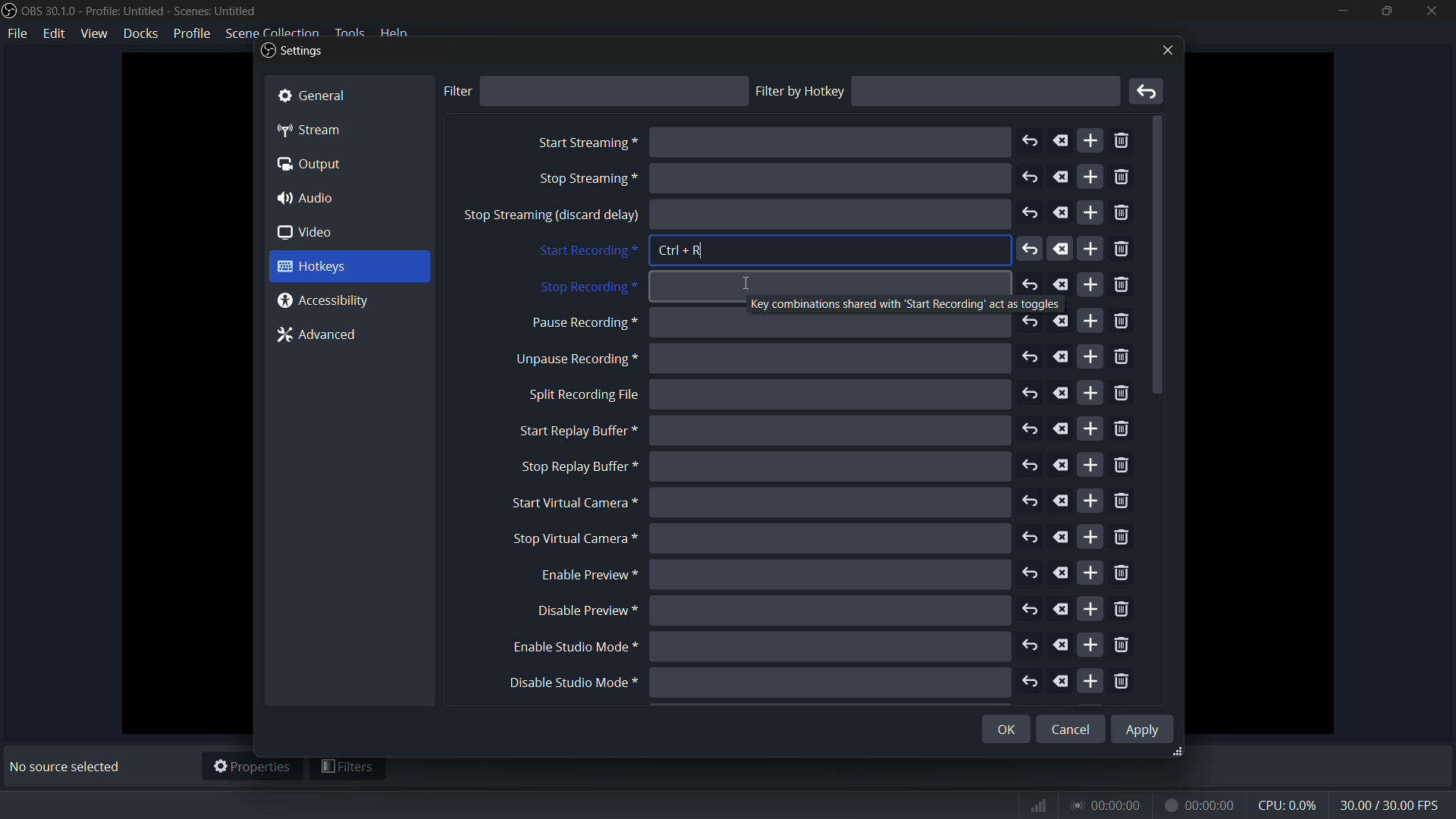 The height and width of the screenshot is (819, 1456). Describe the element at coordinates (1432, 11) in the screenshot. I see `close app` at that location.